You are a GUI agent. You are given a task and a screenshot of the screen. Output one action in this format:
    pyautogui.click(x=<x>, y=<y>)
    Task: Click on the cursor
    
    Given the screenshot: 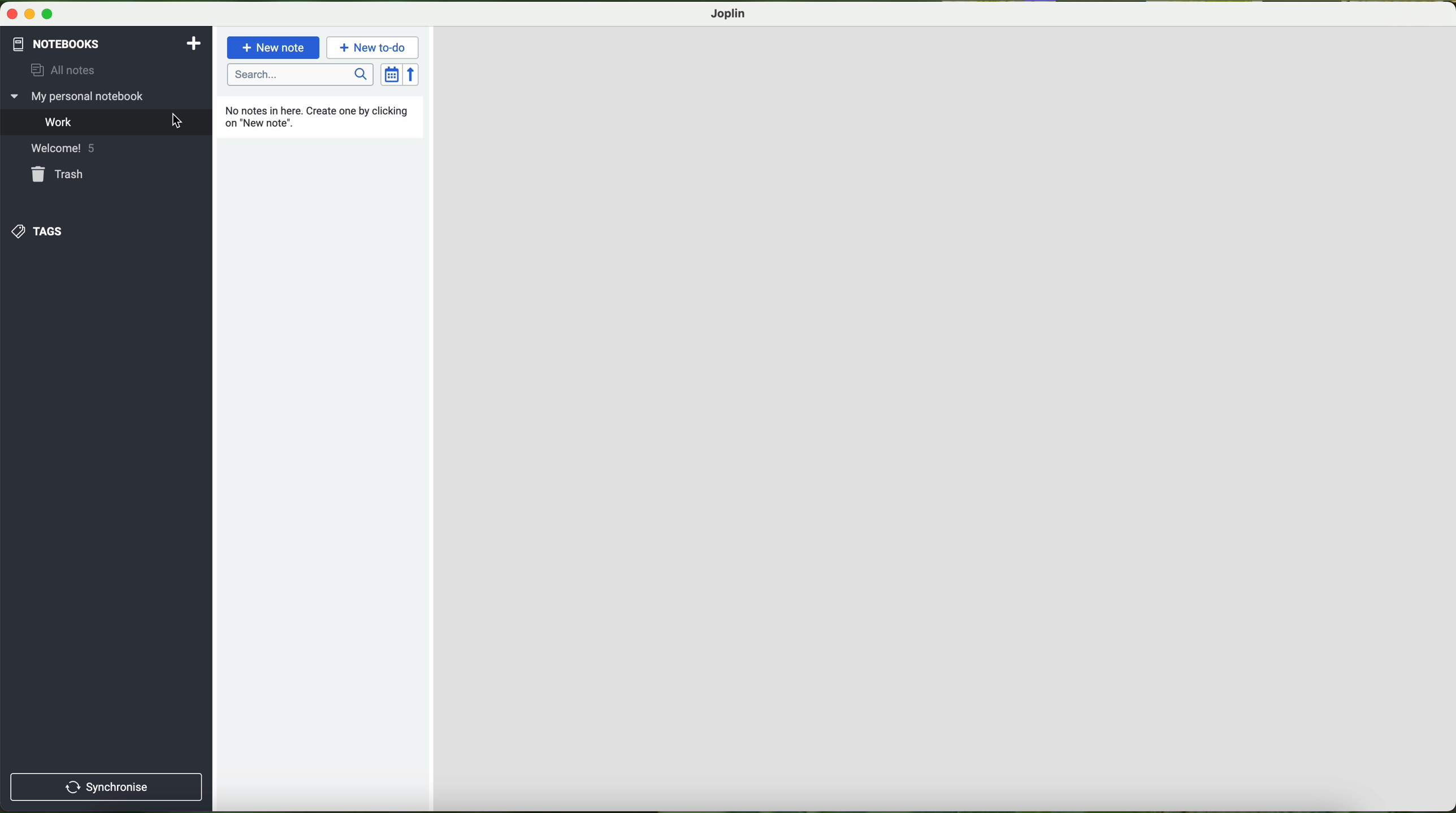 What is the action you would take?
    pyautogui.click(x=178, y=122)
    